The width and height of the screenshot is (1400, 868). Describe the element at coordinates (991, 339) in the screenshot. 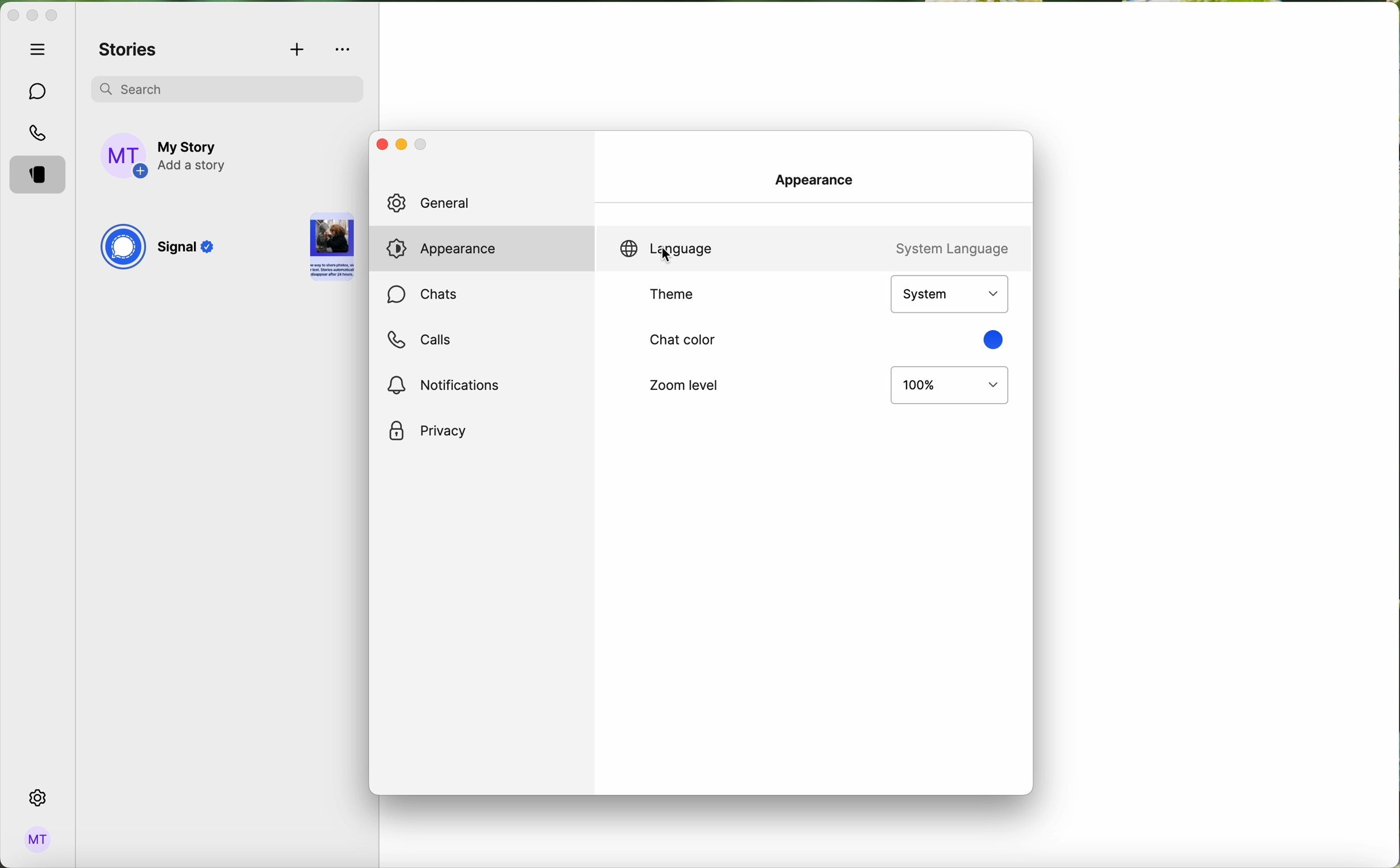

I see `blue` at that location.